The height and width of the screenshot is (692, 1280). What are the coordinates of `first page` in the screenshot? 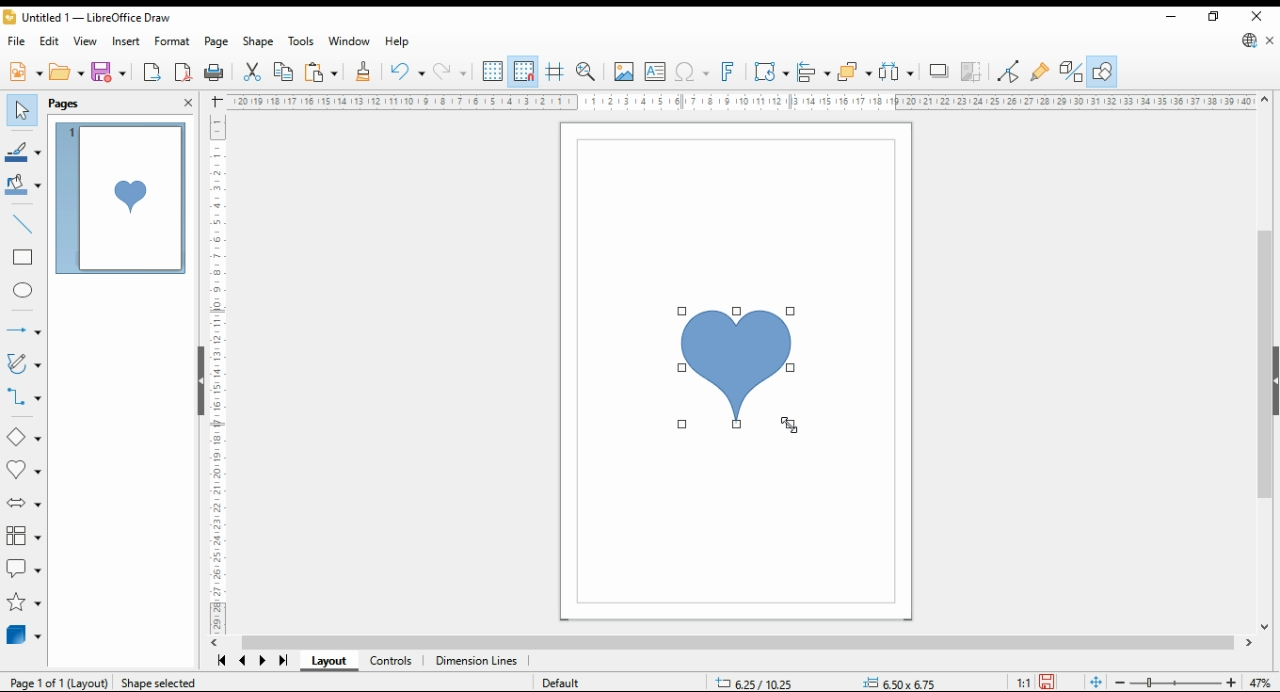 It's located at (222, 661).